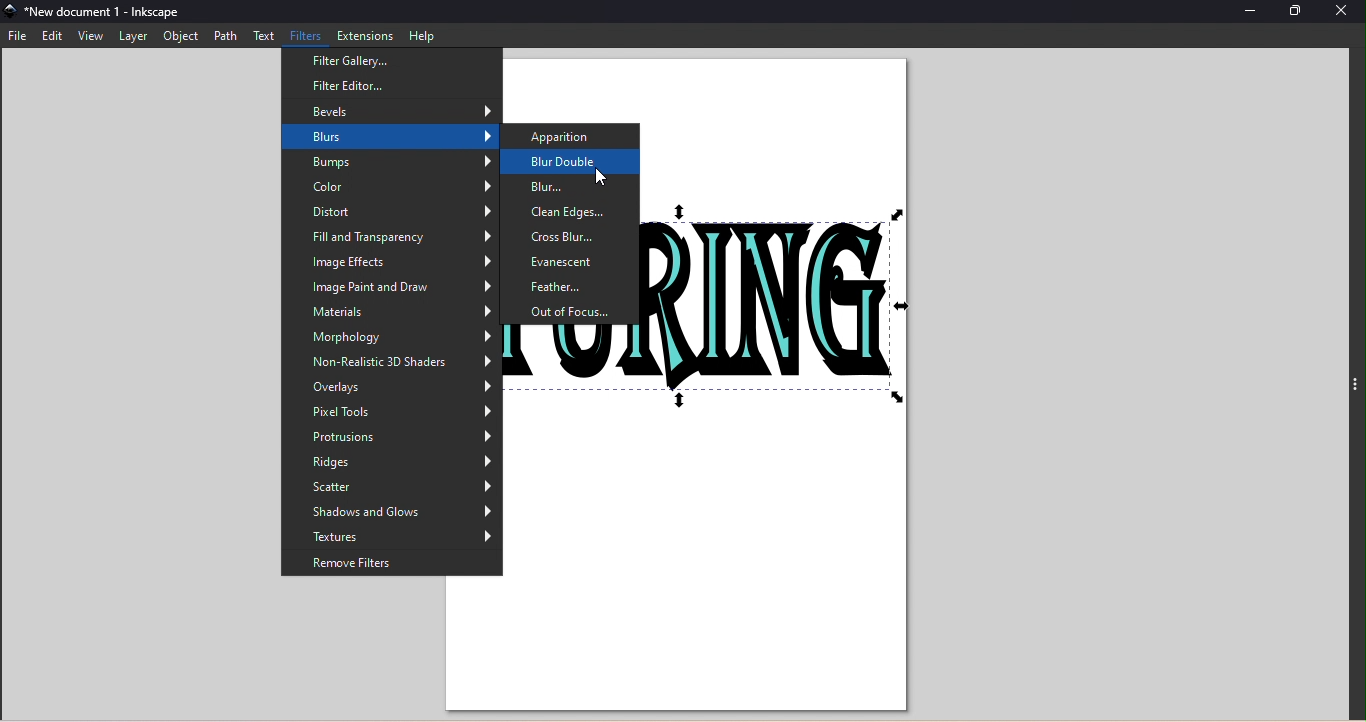  What do you see at coordinates (392, 339) in the screenshot?
I see `Morphology` at bounding box center [392, 339].